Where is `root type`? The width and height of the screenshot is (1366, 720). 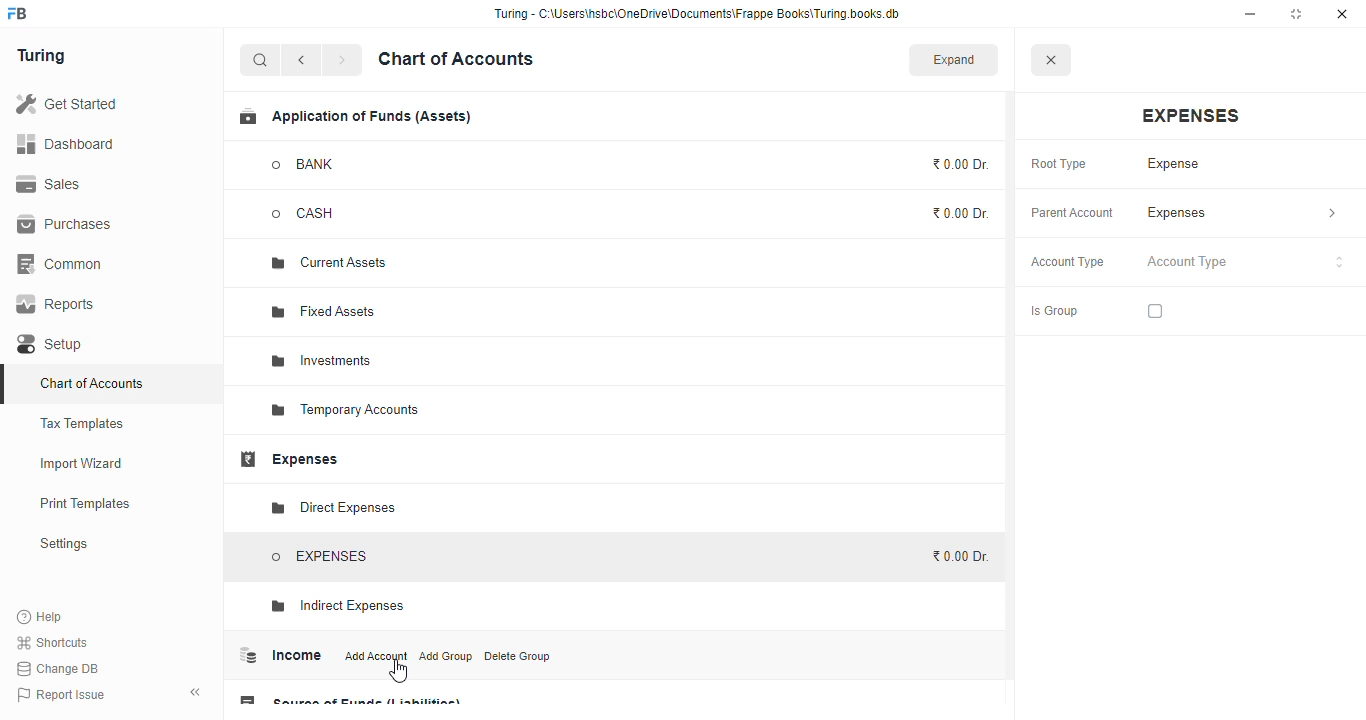 root type is located at coordinates (1059, 165).